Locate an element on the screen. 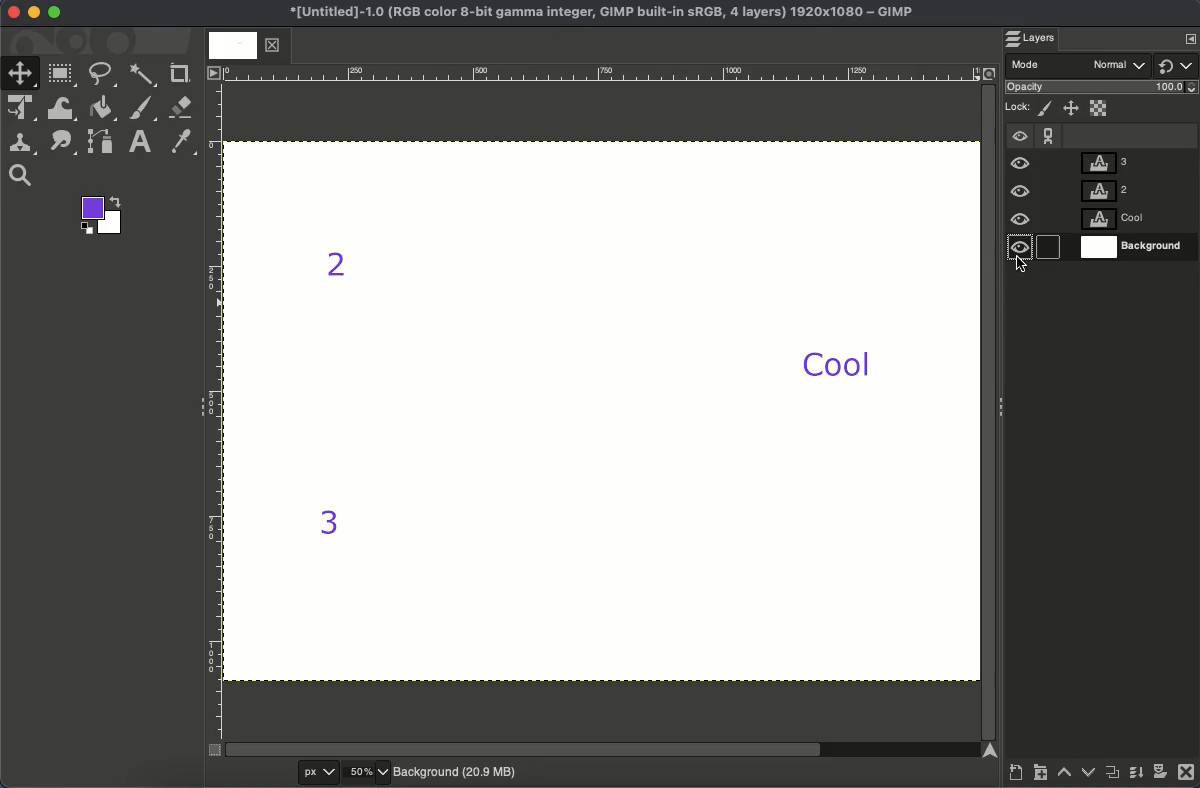 Image resolution: width=1200 pixels, height=788 pixels. Unified transformation is located at coordinates (24, 109).